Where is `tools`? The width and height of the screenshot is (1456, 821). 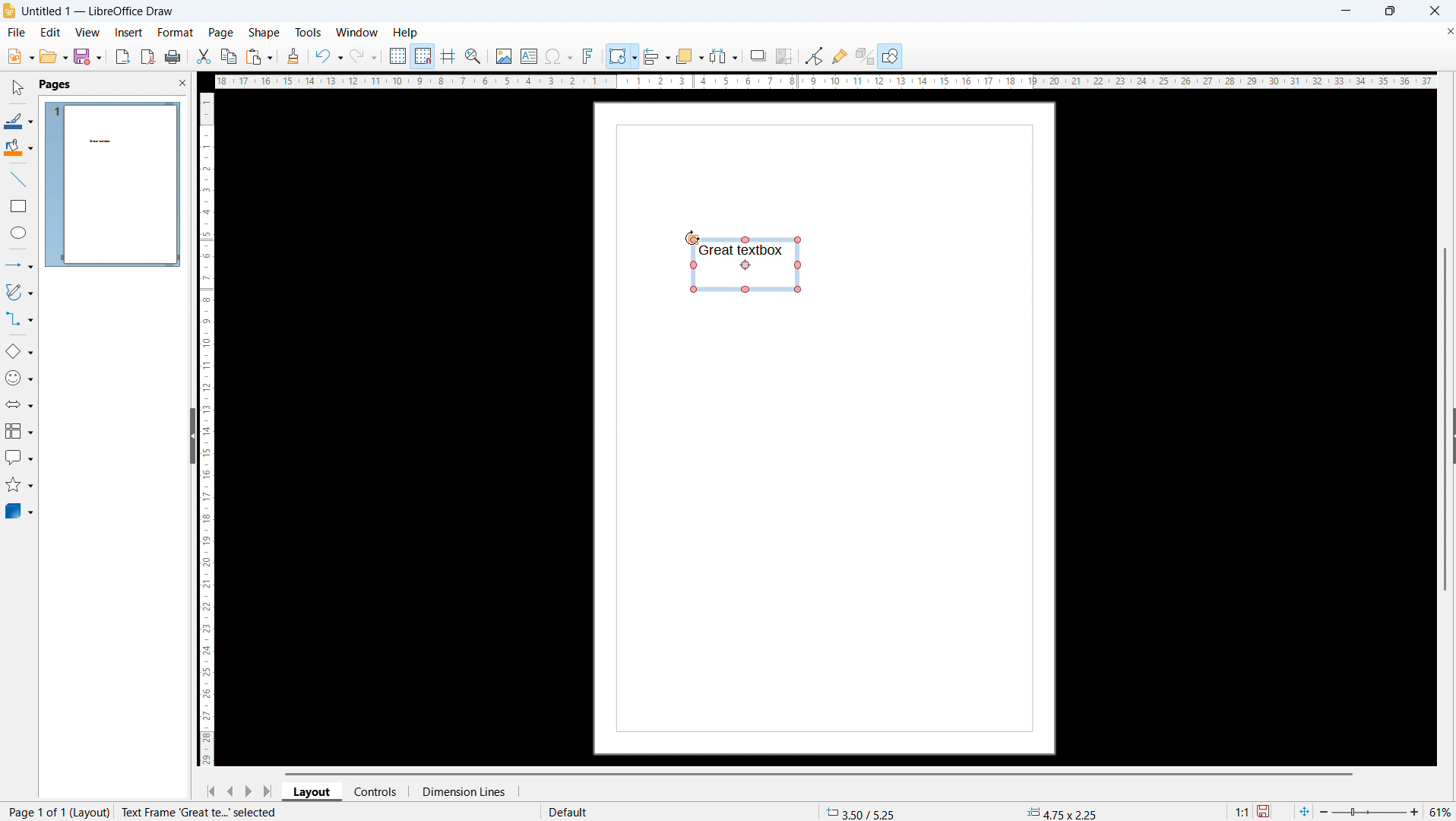 tools is located at coordinates (308, 33).